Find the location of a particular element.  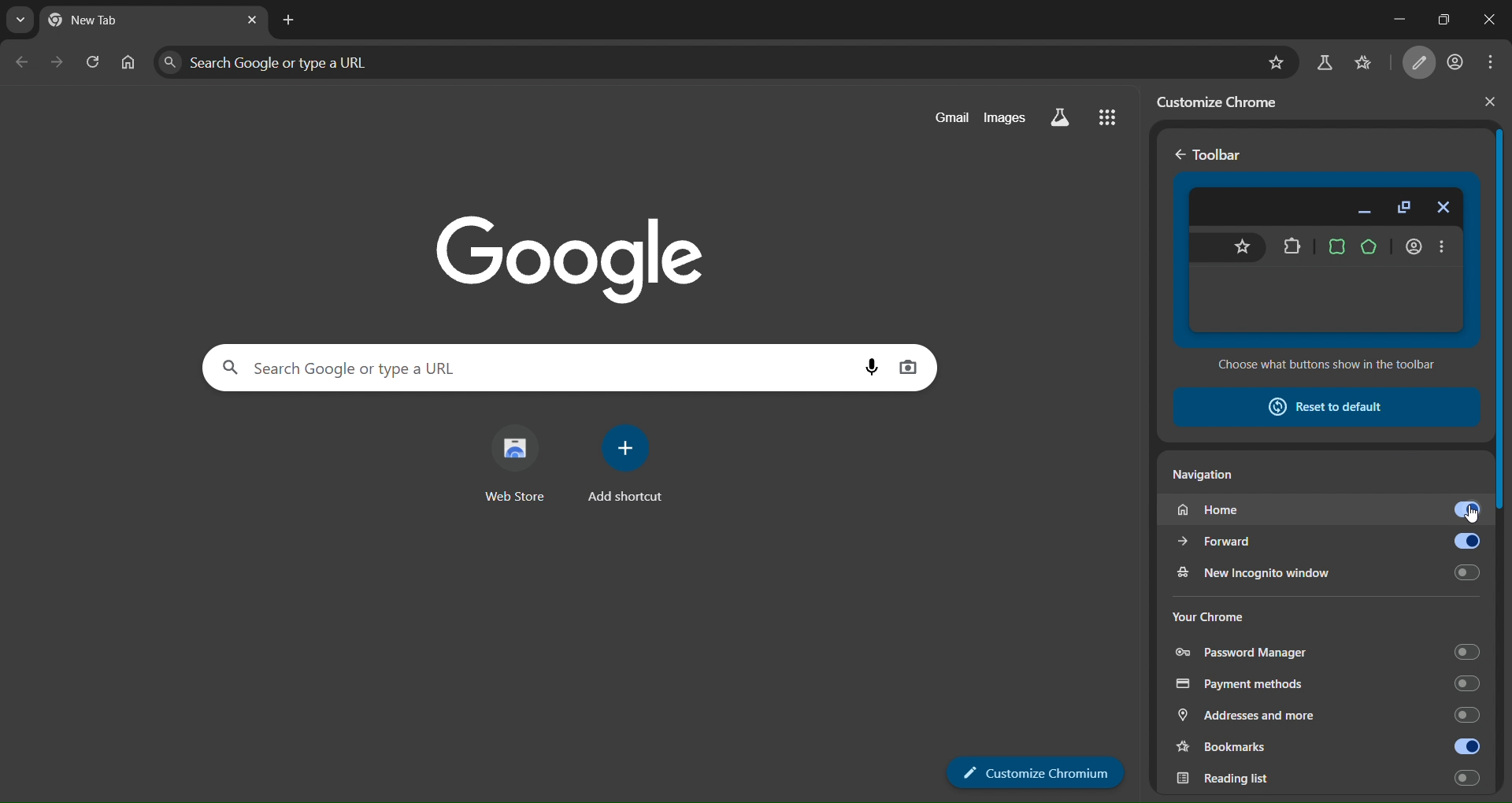

minimize is located at coordinates (1383, 19).